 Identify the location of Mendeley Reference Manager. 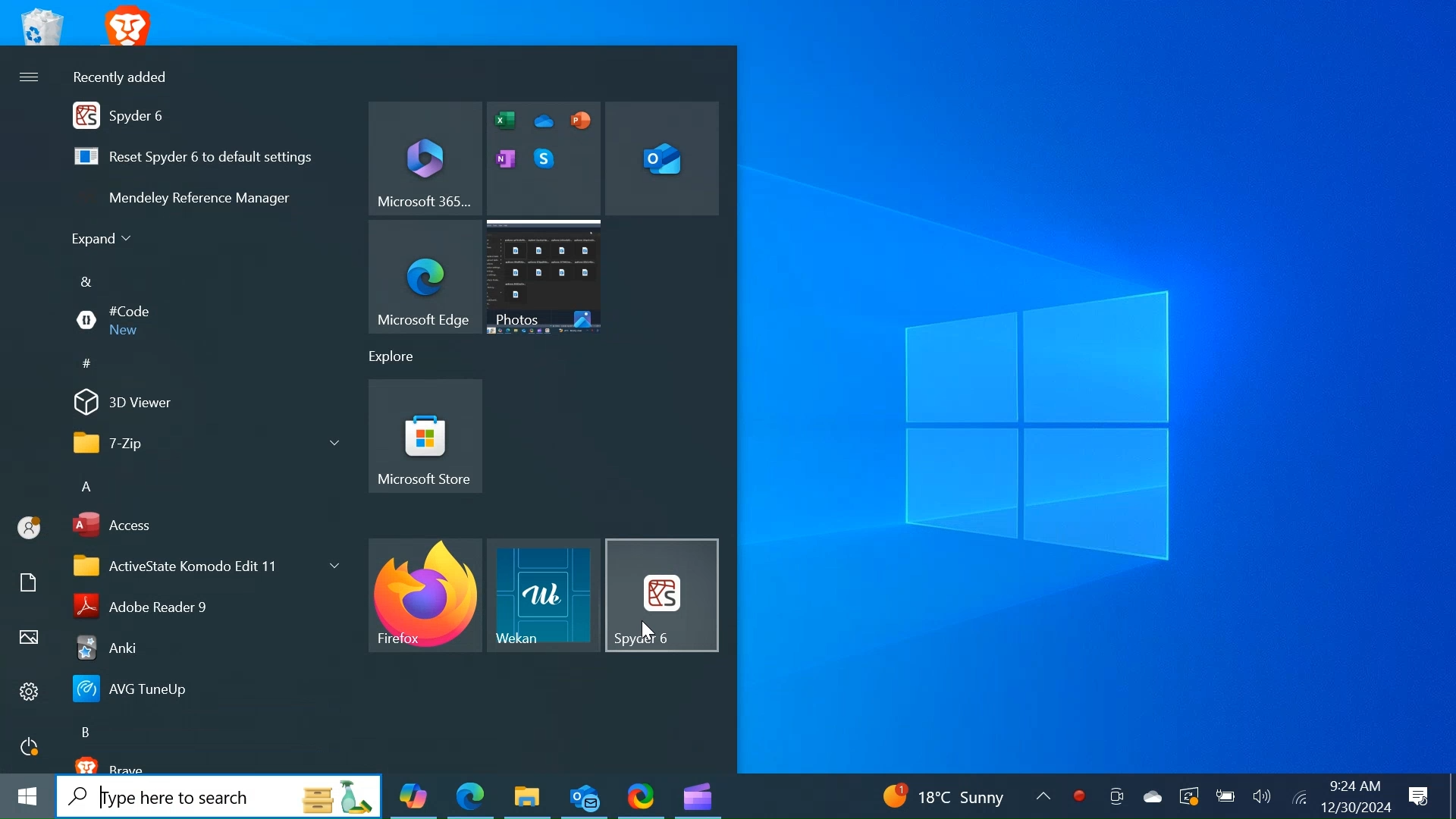
(207, 201).